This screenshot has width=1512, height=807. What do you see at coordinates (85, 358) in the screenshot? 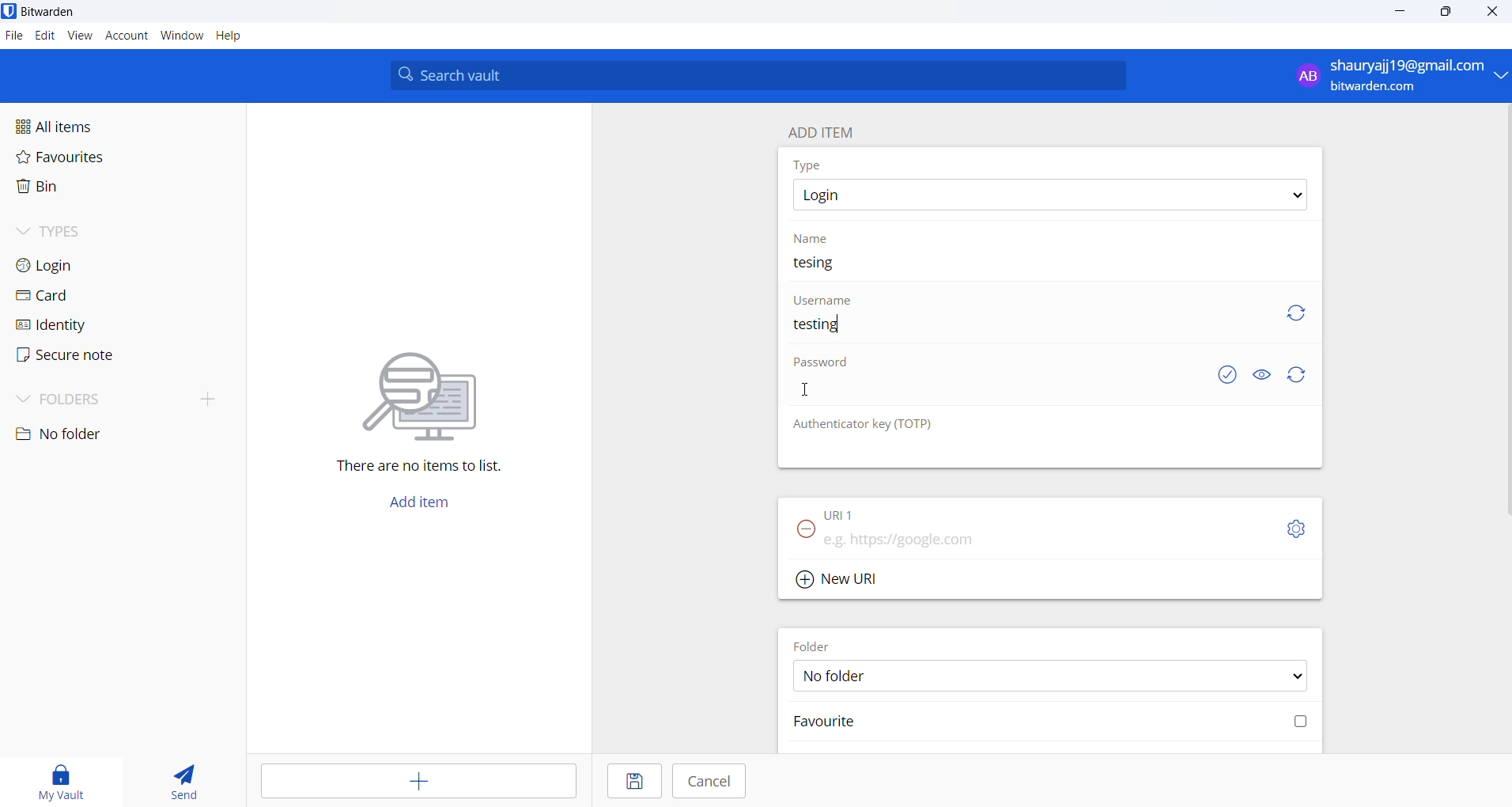
I see `secure note` at bounding box center [85, 358].